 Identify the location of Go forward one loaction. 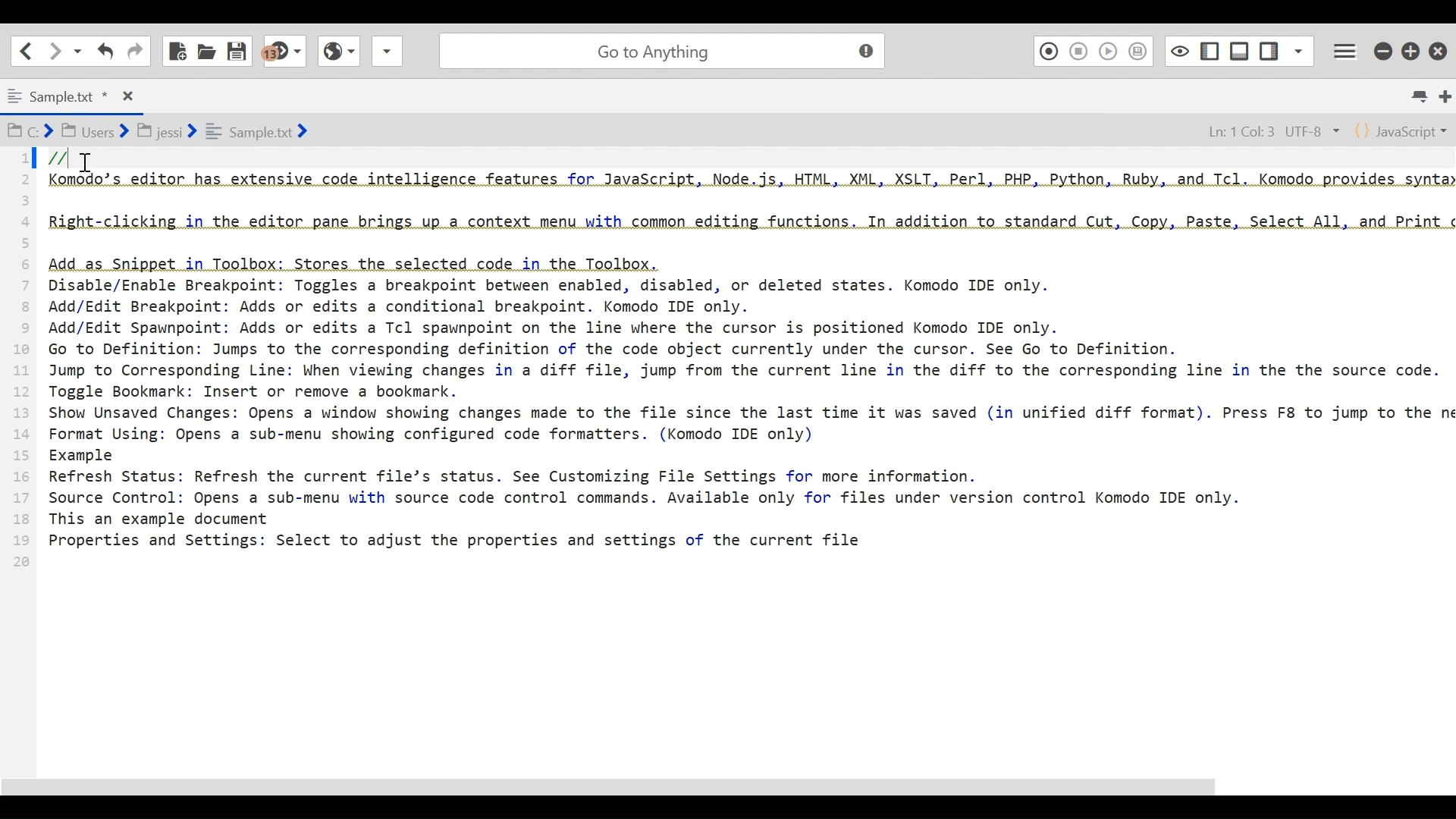
(54, 51).